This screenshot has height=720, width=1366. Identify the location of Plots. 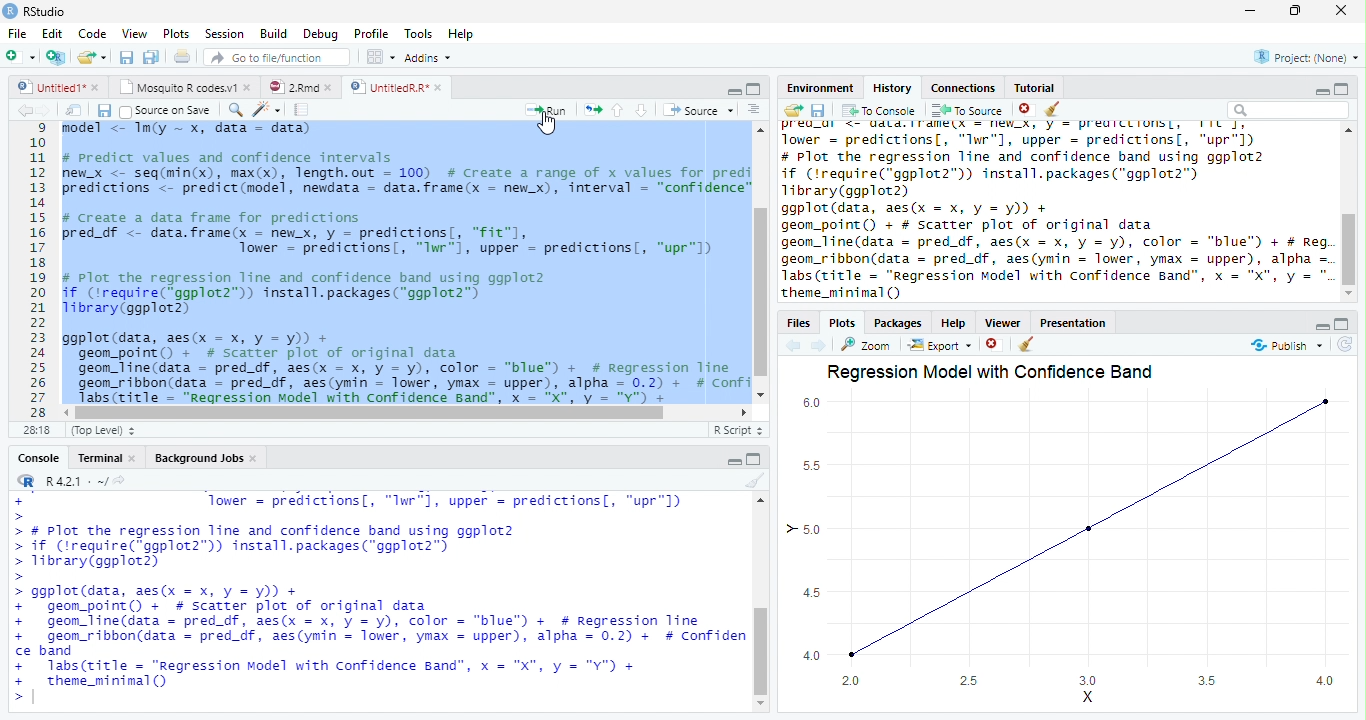
(178, 32).